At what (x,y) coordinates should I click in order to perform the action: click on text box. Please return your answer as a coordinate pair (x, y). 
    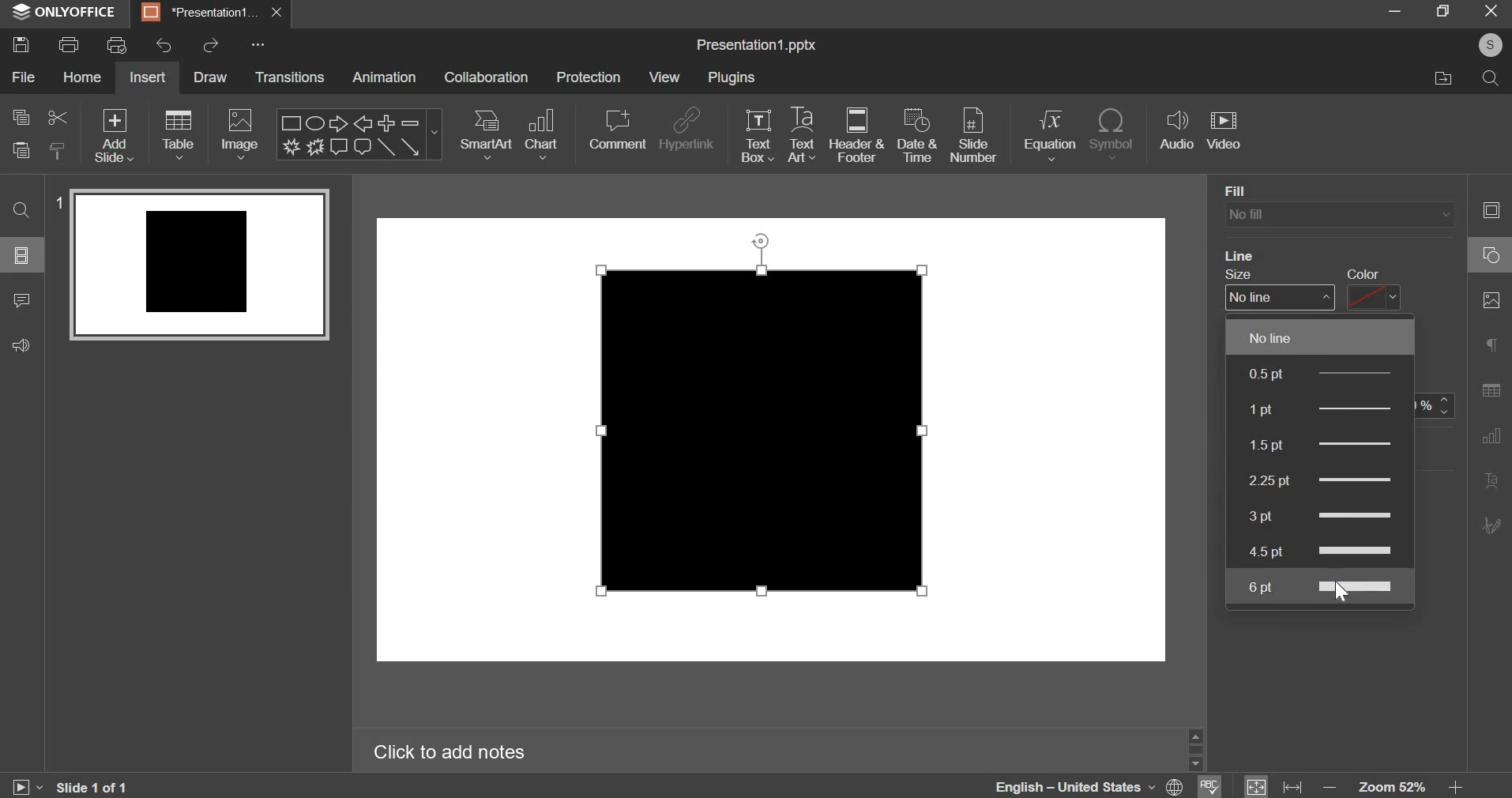
    Looking at the image, I should click on (757, 135).